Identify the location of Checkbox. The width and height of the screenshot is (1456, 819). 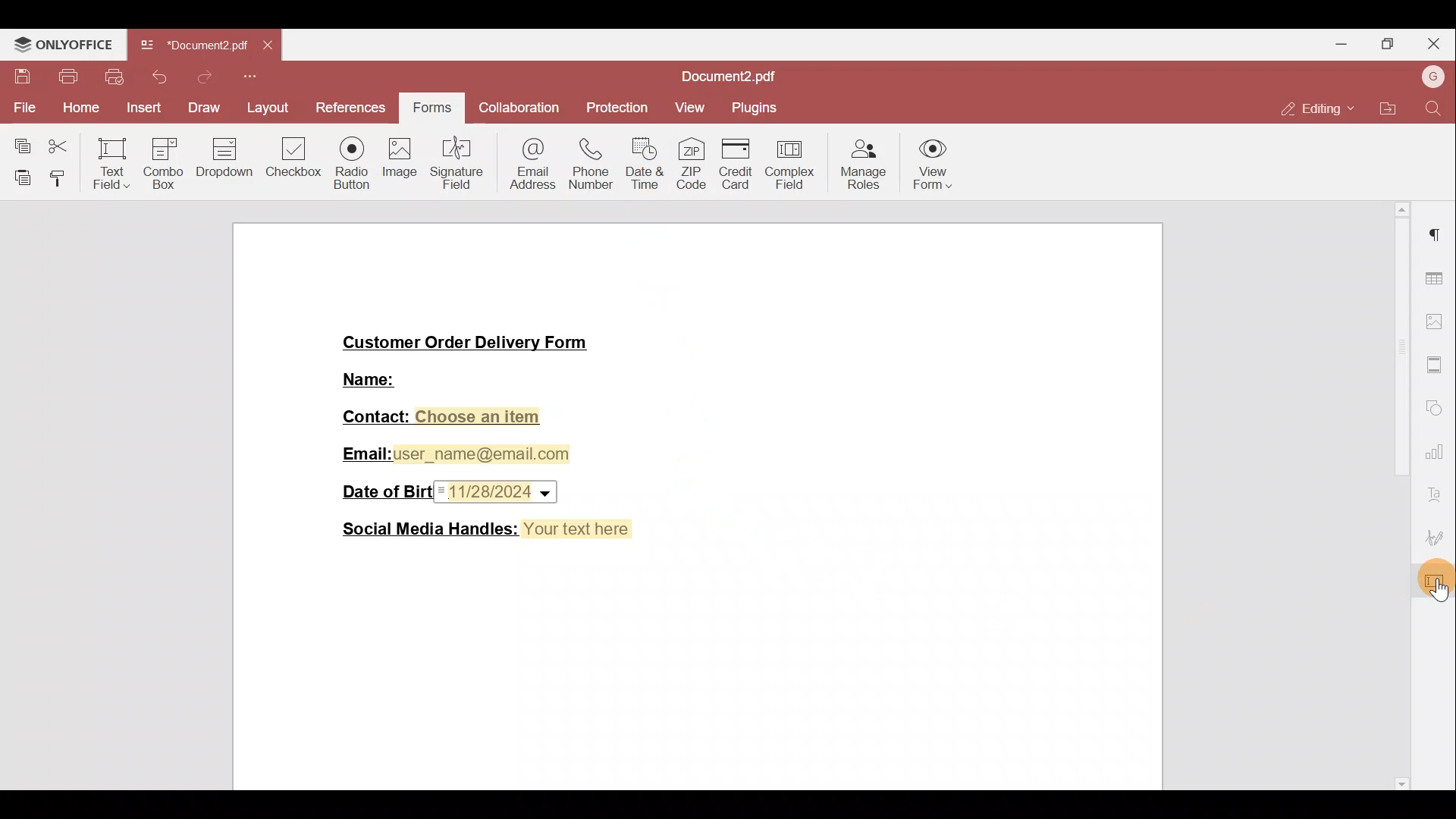
(295, 163).